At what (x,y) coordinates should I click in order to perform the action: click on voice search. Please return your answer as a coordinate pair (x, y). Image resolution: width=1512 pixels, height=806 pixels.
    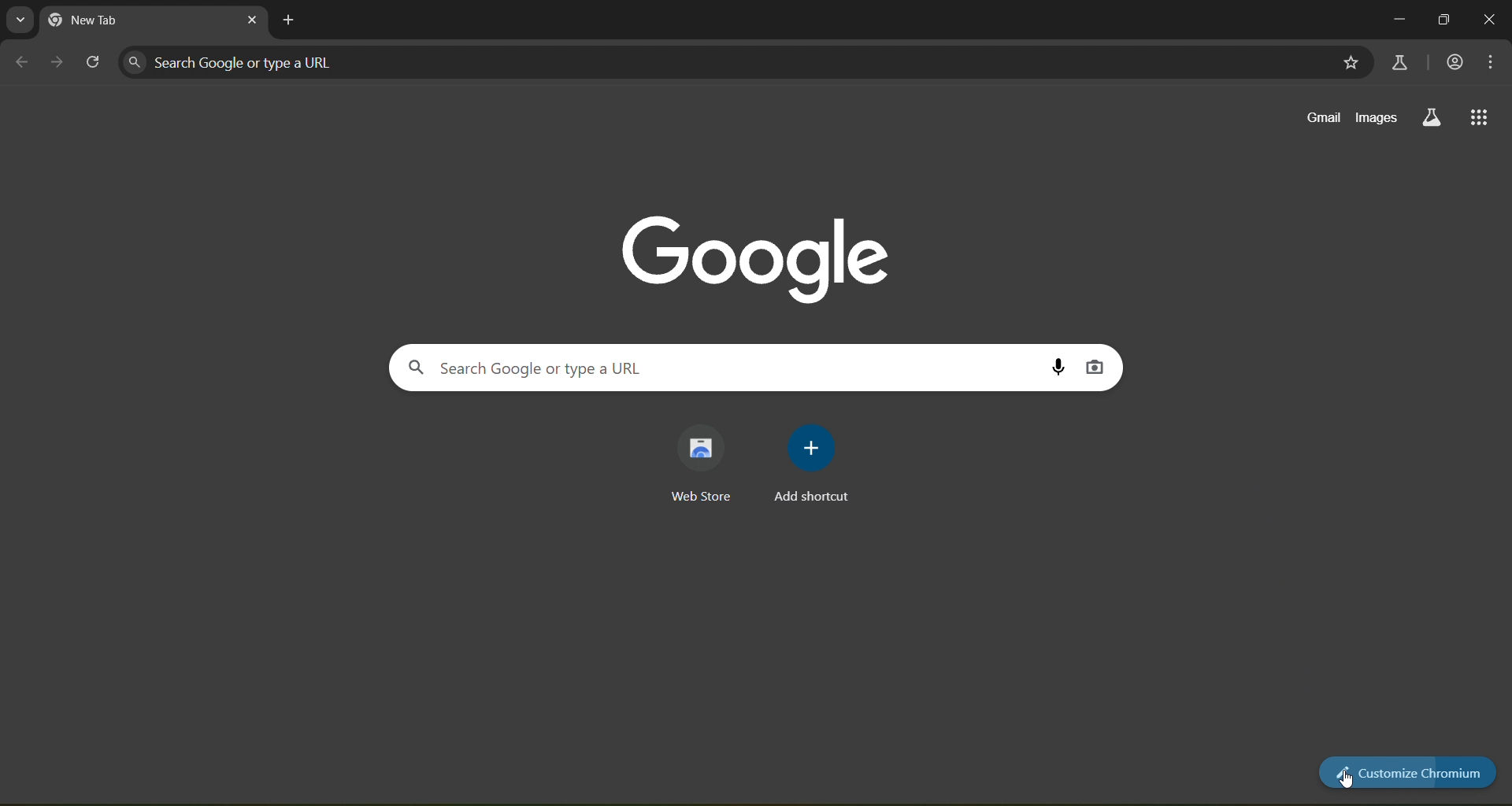
    Looking at the image, I should click on (1055, 367).